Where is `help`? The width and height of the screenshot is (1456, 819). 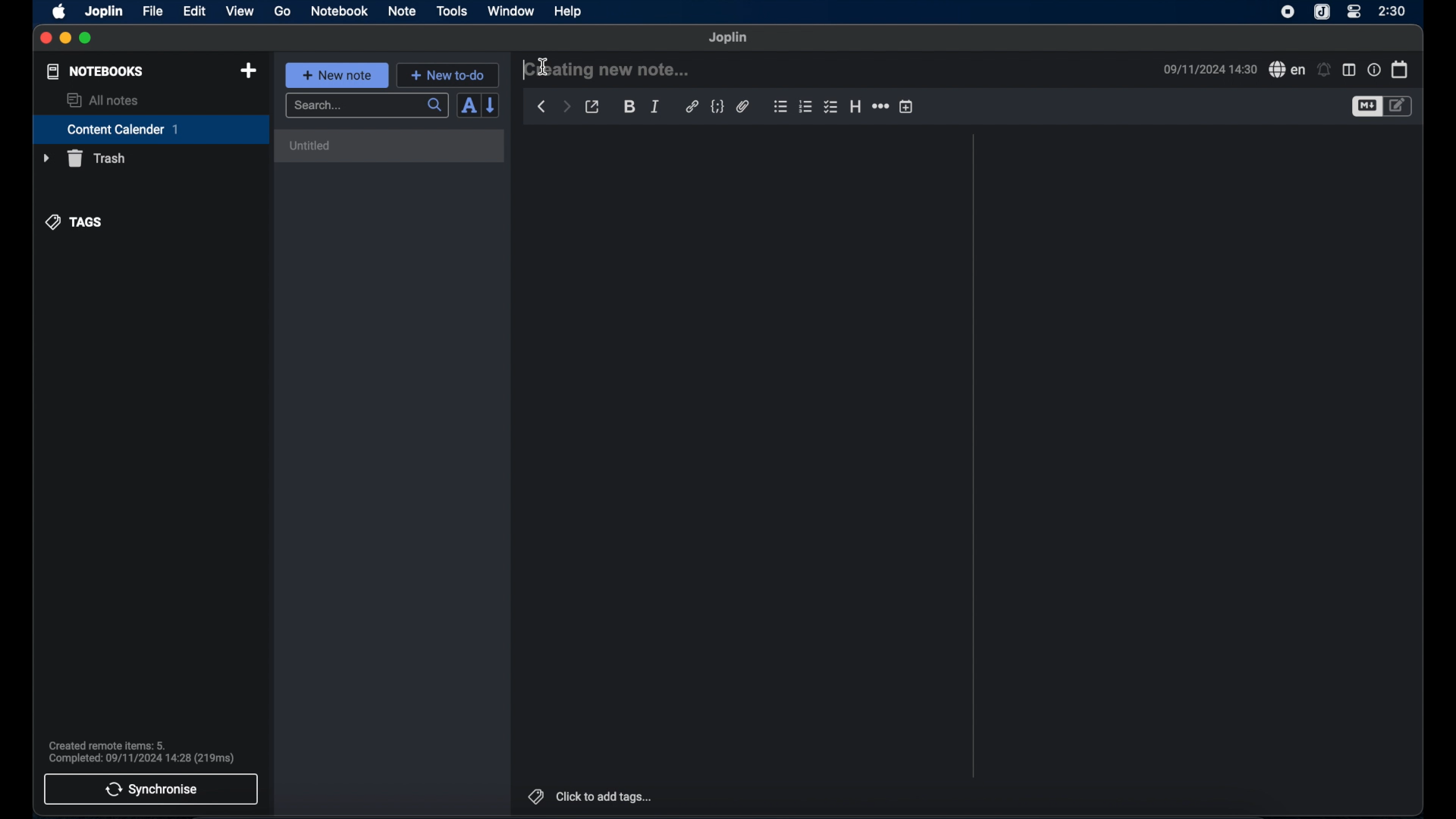
help is located at coordinates (570, 12).